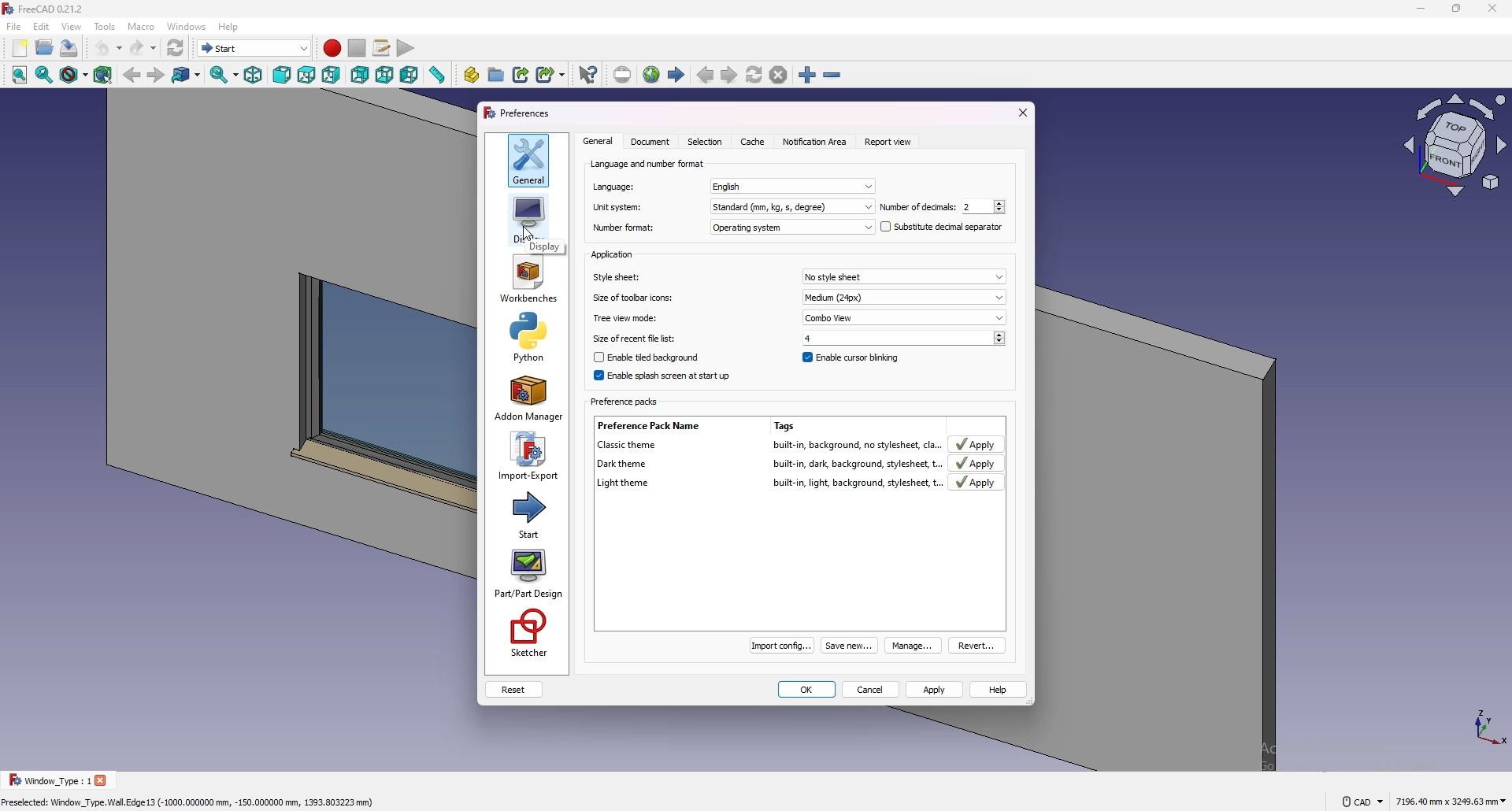 The height and width of the screenshot is (811, 1512). Describe the element at coordinates (254, 48) in the screenshot. I see `Start` at that location.